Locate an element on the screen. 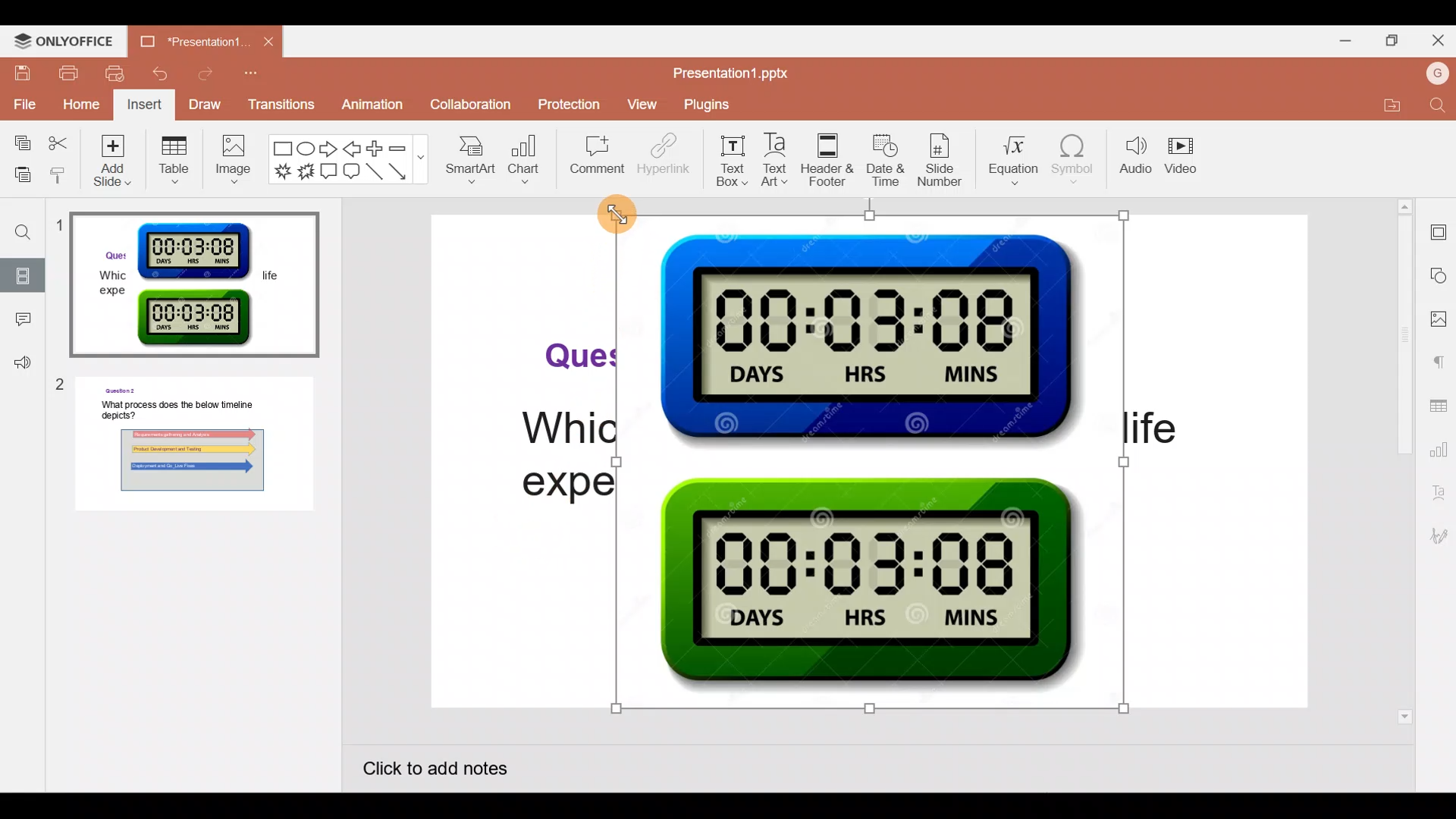 The width and height of the screenshot is (1456, 819). Inserted Timer Graphic is located at coordinates (872, 465).